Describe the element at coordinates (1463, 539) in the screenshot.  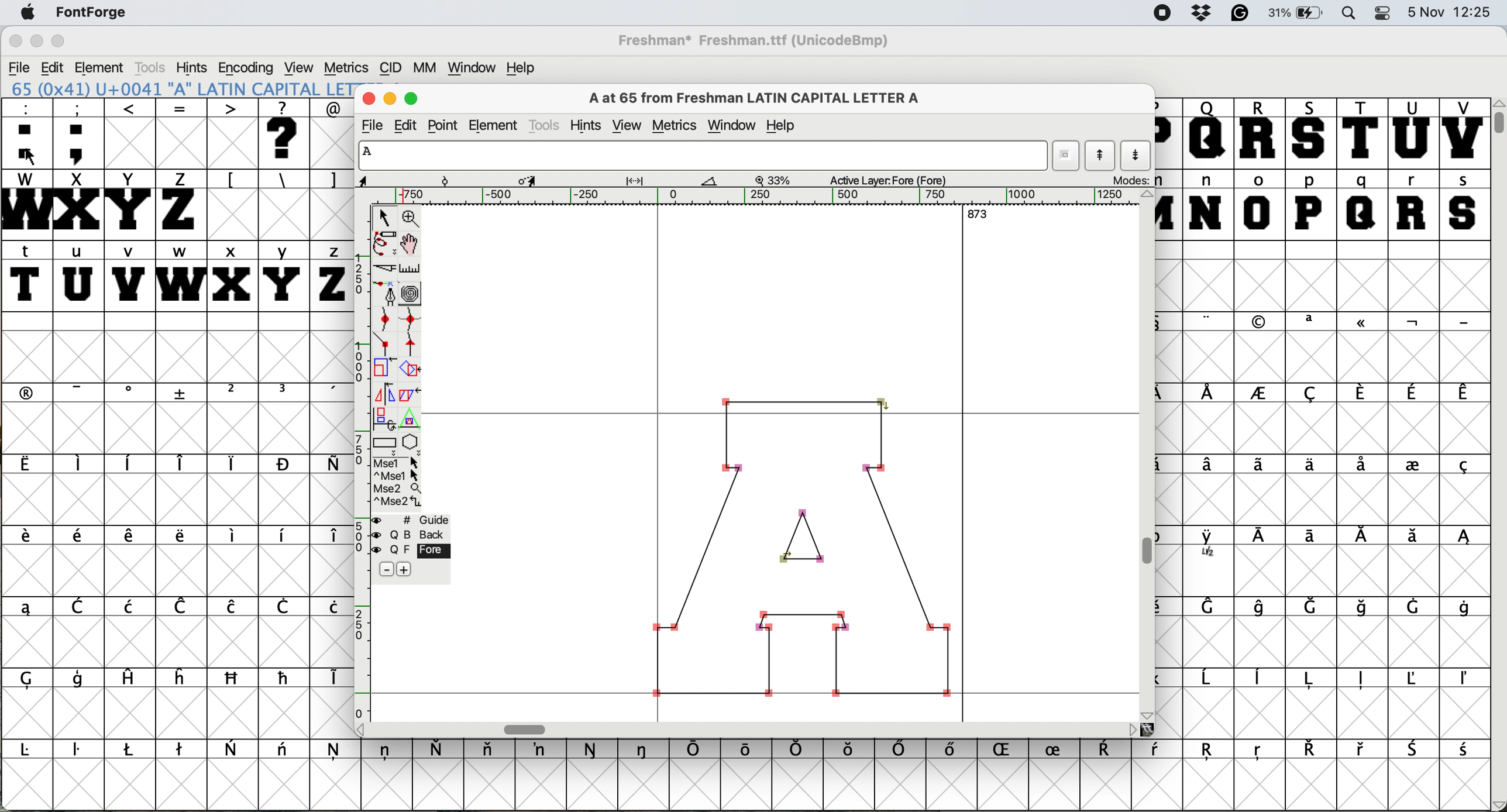
I see `symbol` at that location.